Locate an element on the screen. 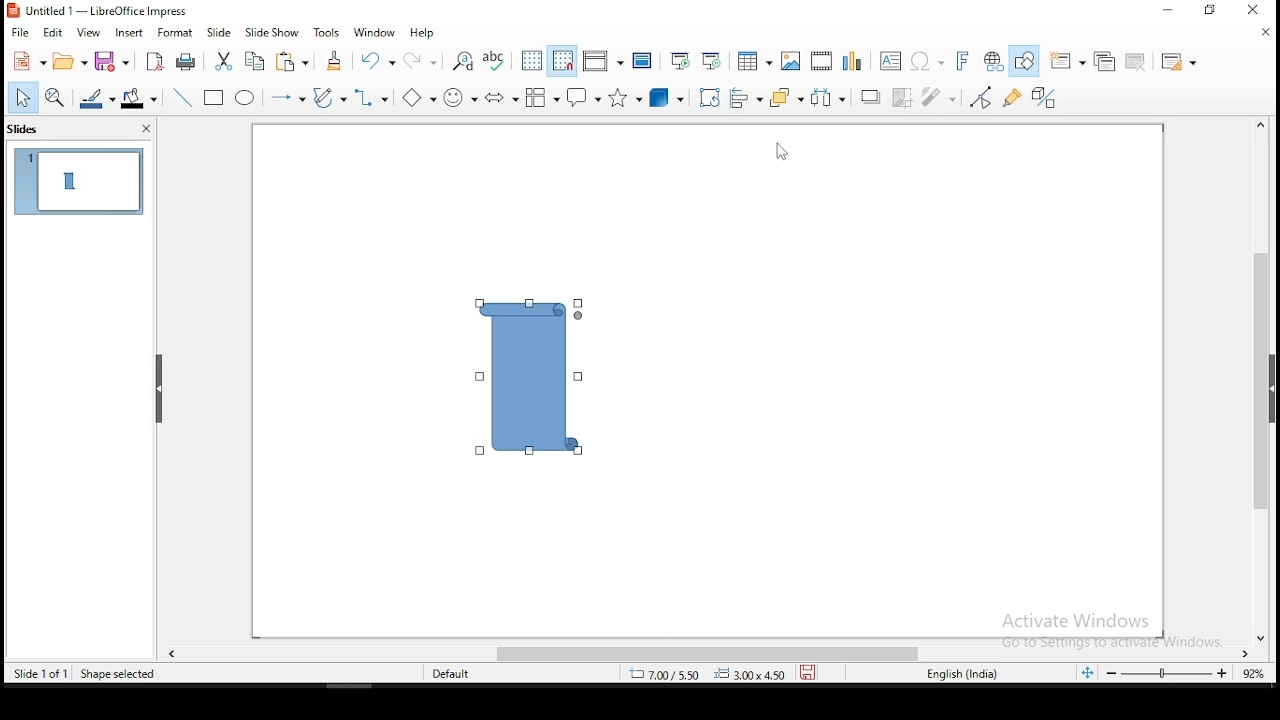 This screenshot has width=1280, height=720. align objects is located at coordinates (747, 95).